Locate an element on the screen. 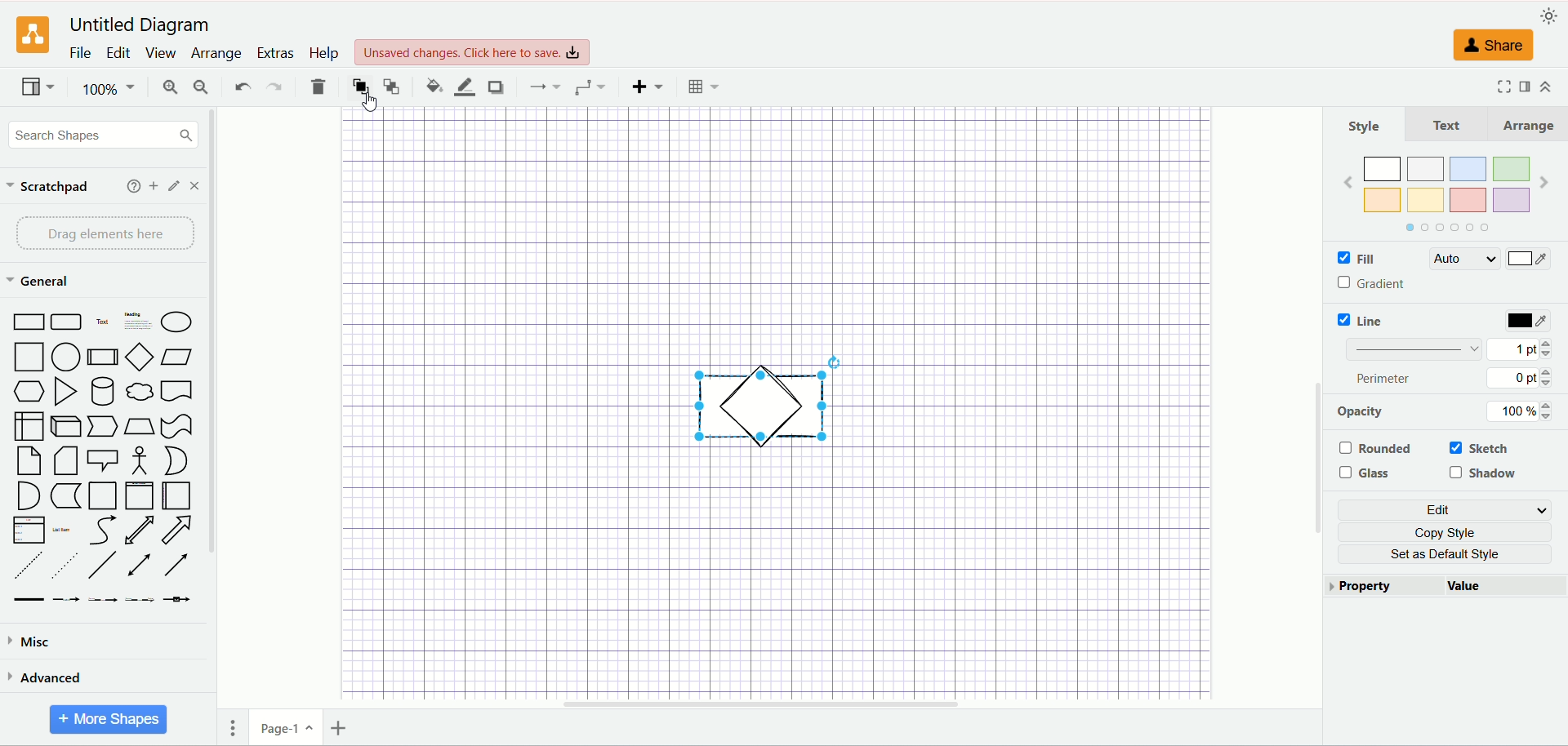 Image resolution: width=1568 pixels, height=746 pixels. Bidirectional arrow is located at coordinates (137, 529).